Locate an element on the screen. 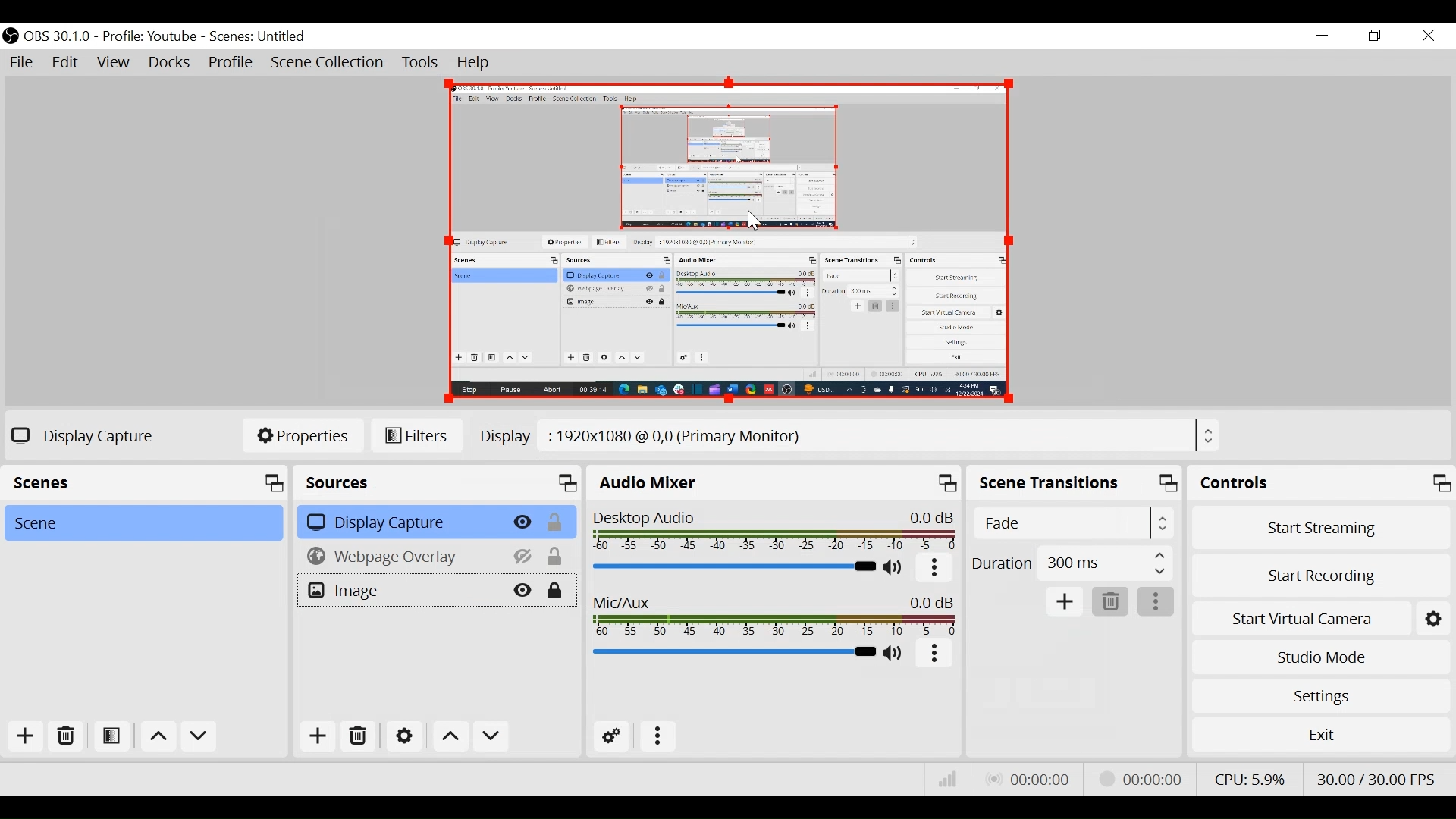 The width and height of the screenshot is (1456, 819). Restore is located at coordinates (1375, 36).